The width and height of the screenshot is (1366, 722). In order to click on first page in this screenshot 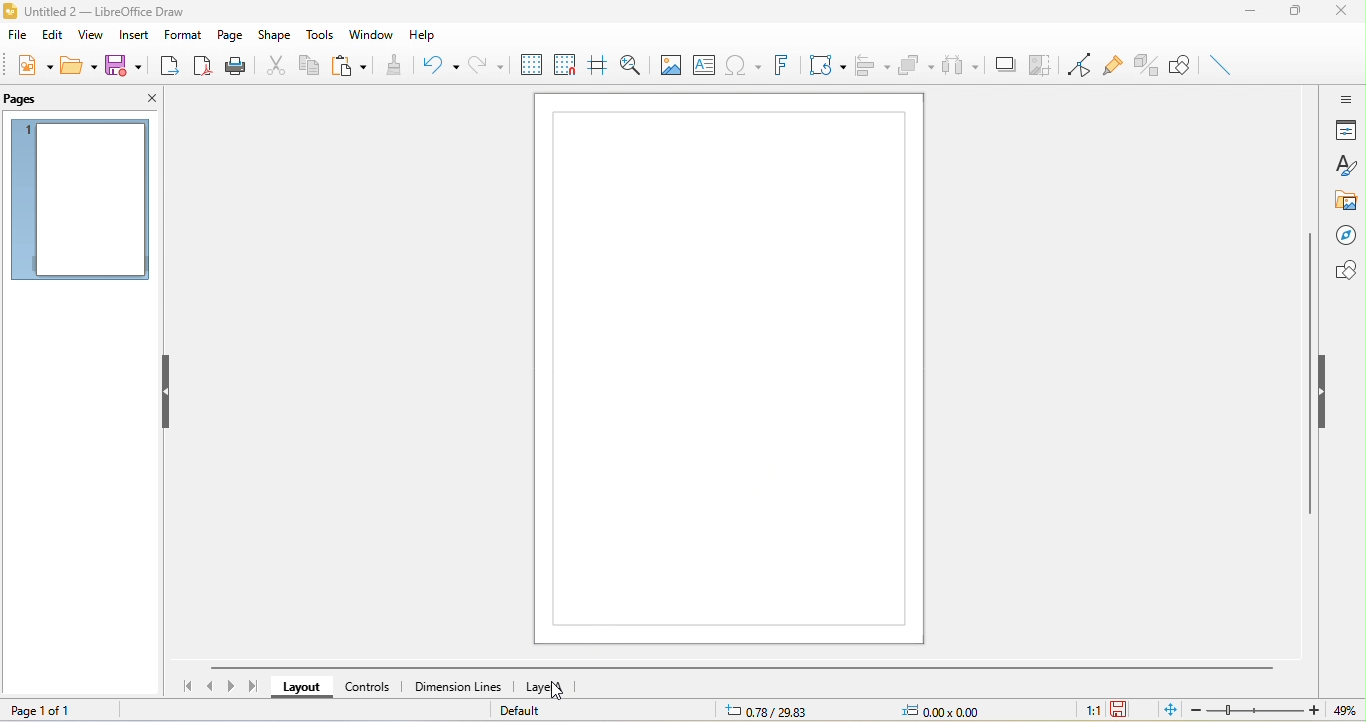, I will do `click(187, 688)`.